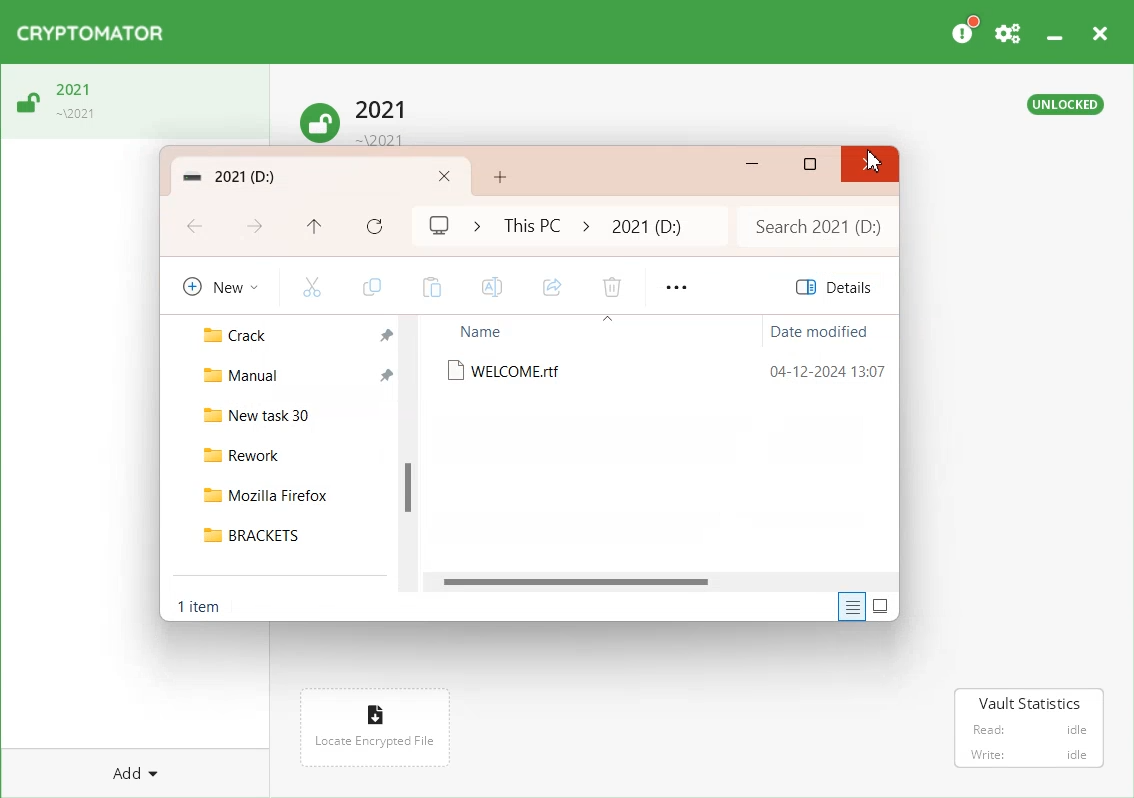  What do you see at coordinates (220, 286) in the screenshot?
I see `New` at bounding box center [220, 286].